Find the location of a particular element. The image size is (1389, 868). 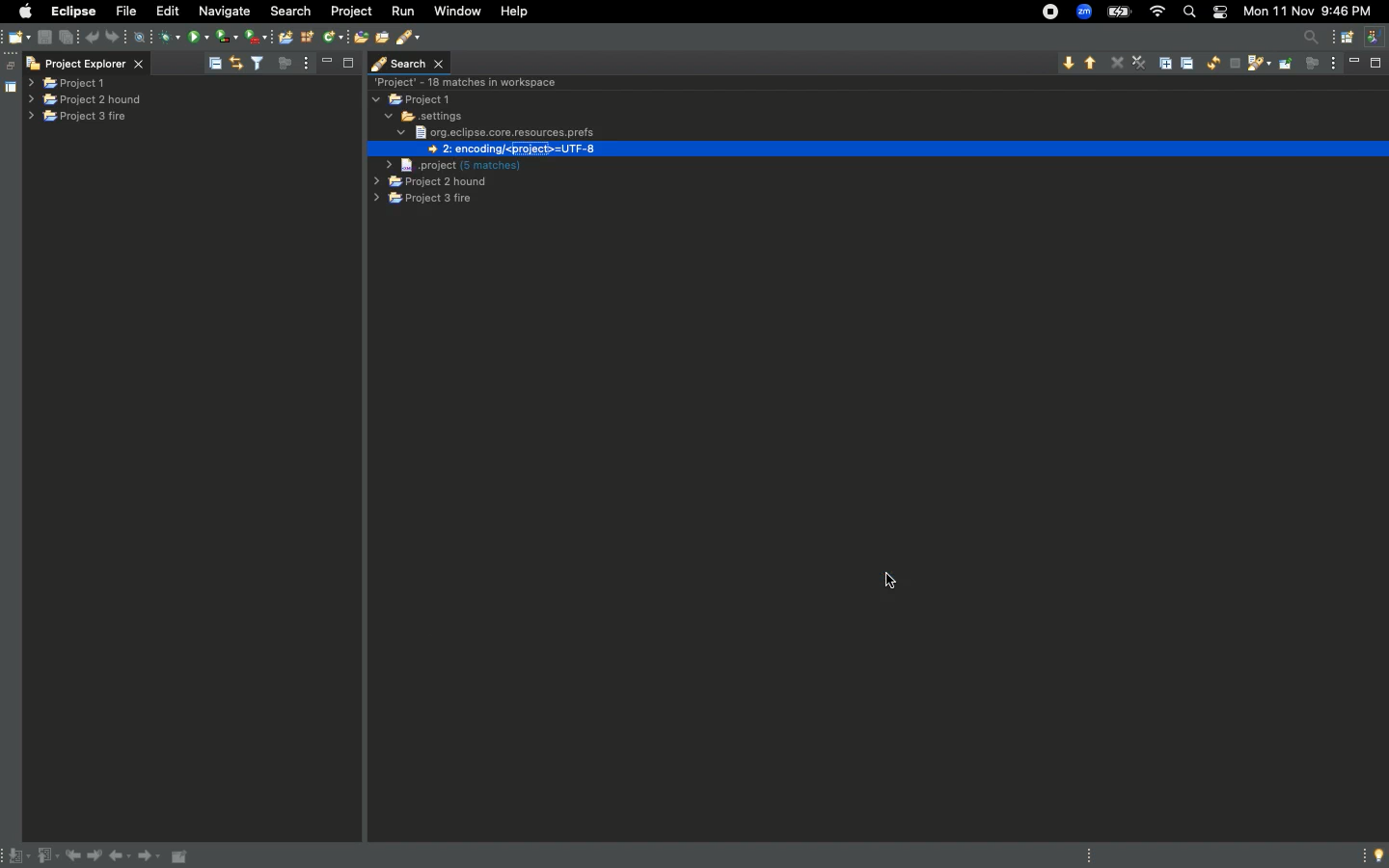

coverage is located at coordinates (225, 36).